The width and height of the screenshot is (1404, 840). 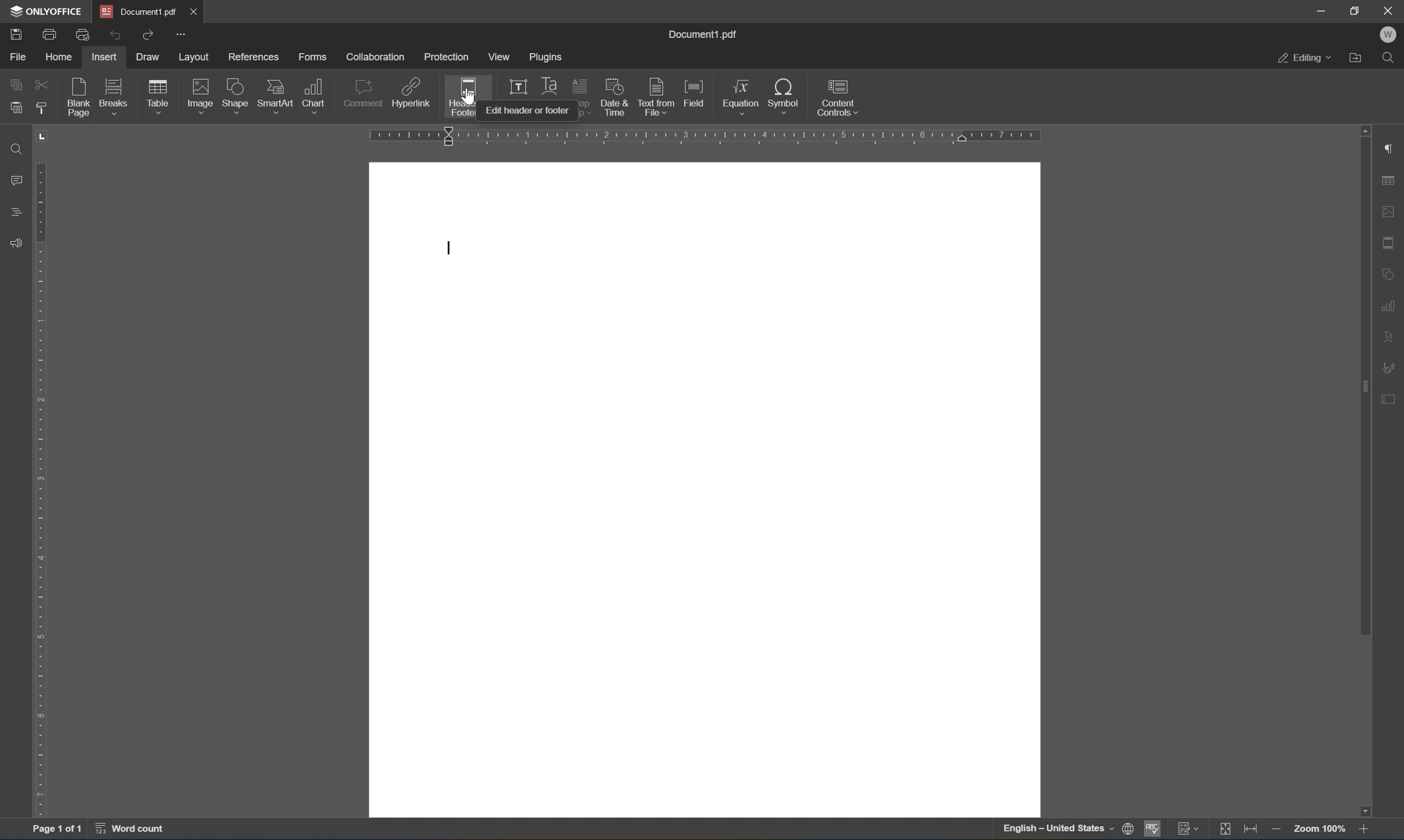 What do you see at coordinates (515, 87) in the screenshot?
I see `text box` at bounding box center [515, 87].